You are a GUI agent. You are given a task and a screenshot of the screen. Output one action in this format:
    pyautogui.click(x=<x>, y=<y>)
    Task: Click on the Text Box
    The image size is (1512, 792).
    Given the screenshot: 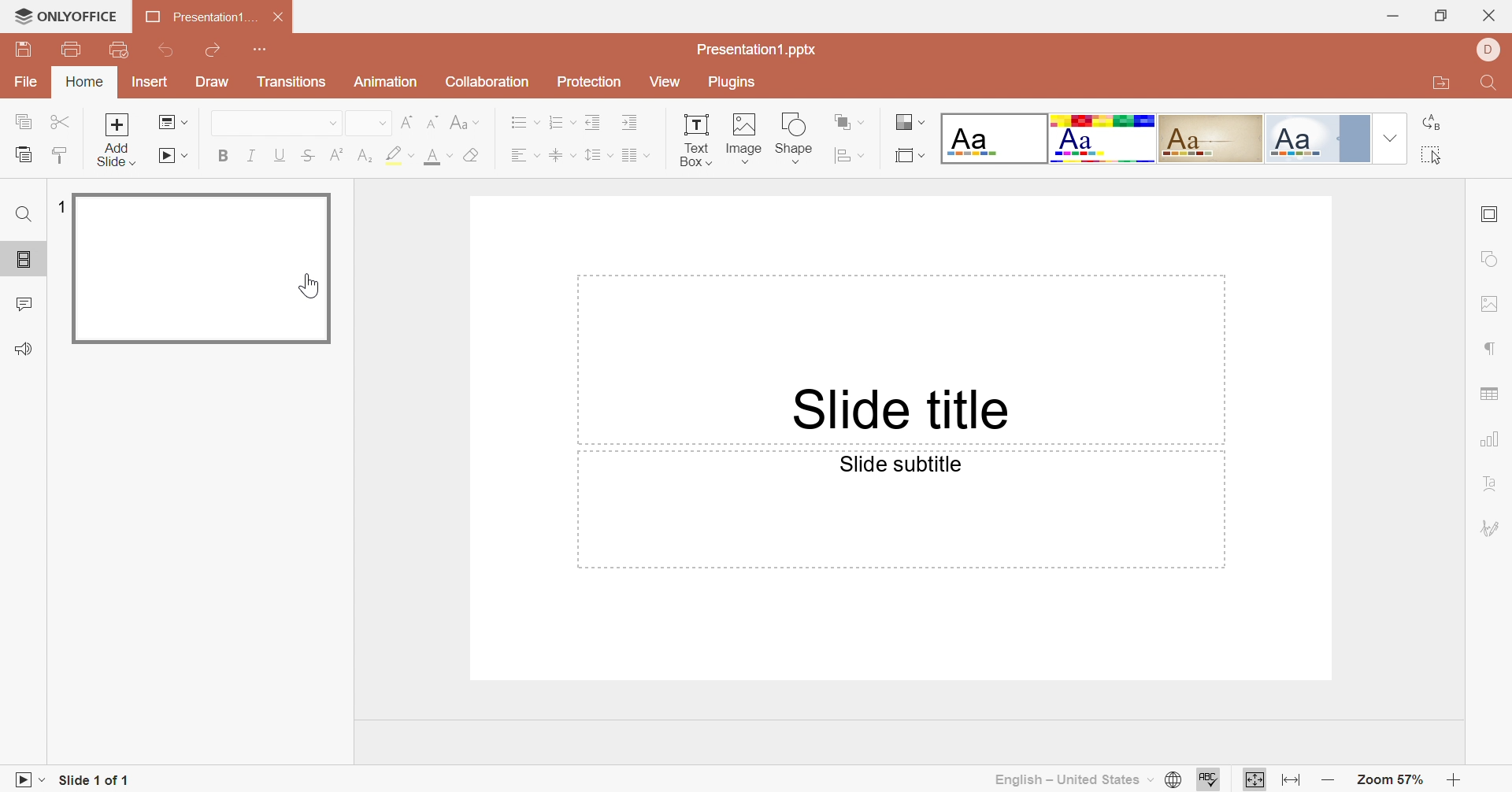 What is the action you would take?
    pyautogui.click(x=694, y=139)
    